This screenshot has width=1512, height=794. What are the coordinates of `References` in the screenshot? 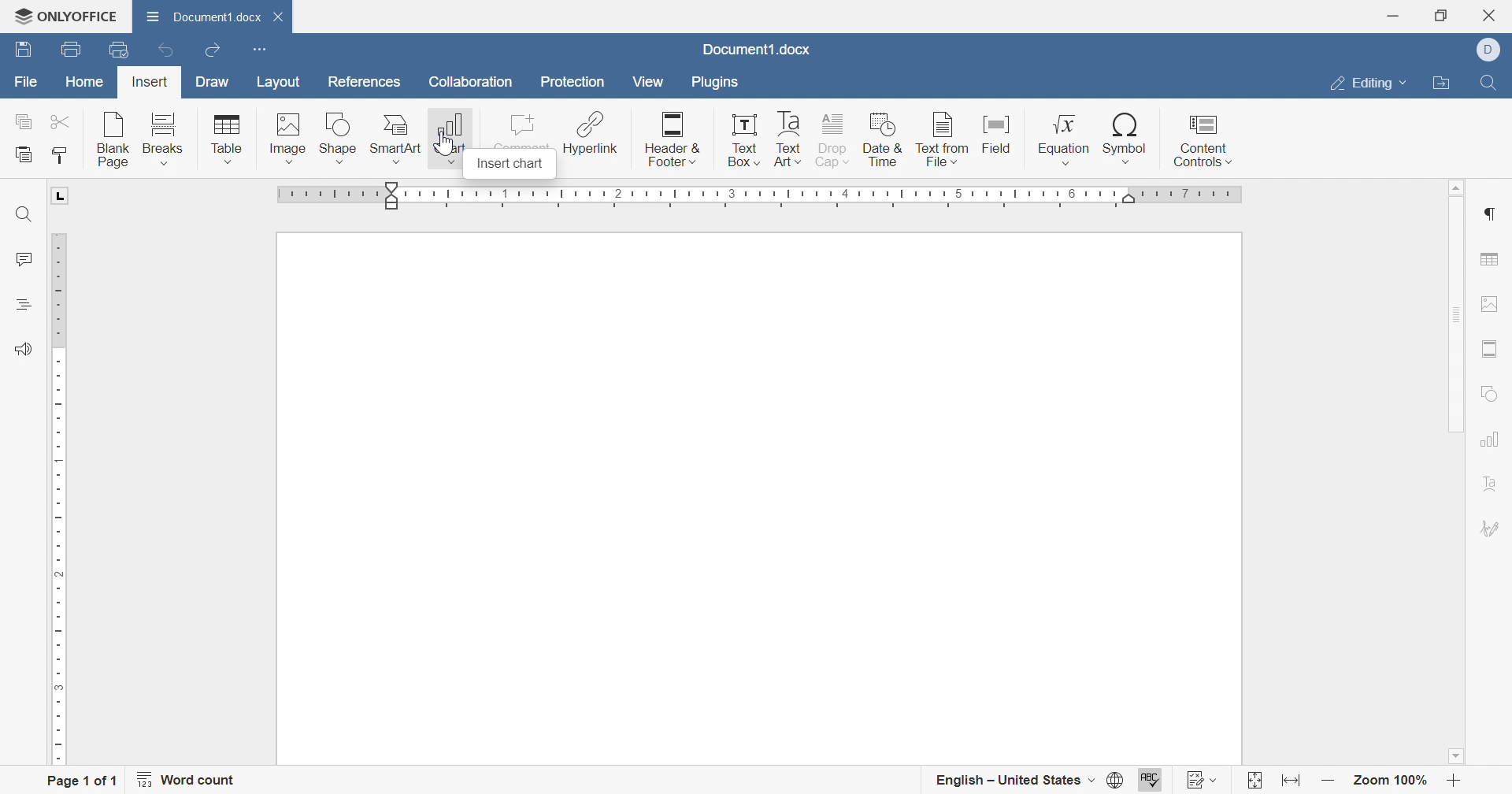 It's located at (366, 81).